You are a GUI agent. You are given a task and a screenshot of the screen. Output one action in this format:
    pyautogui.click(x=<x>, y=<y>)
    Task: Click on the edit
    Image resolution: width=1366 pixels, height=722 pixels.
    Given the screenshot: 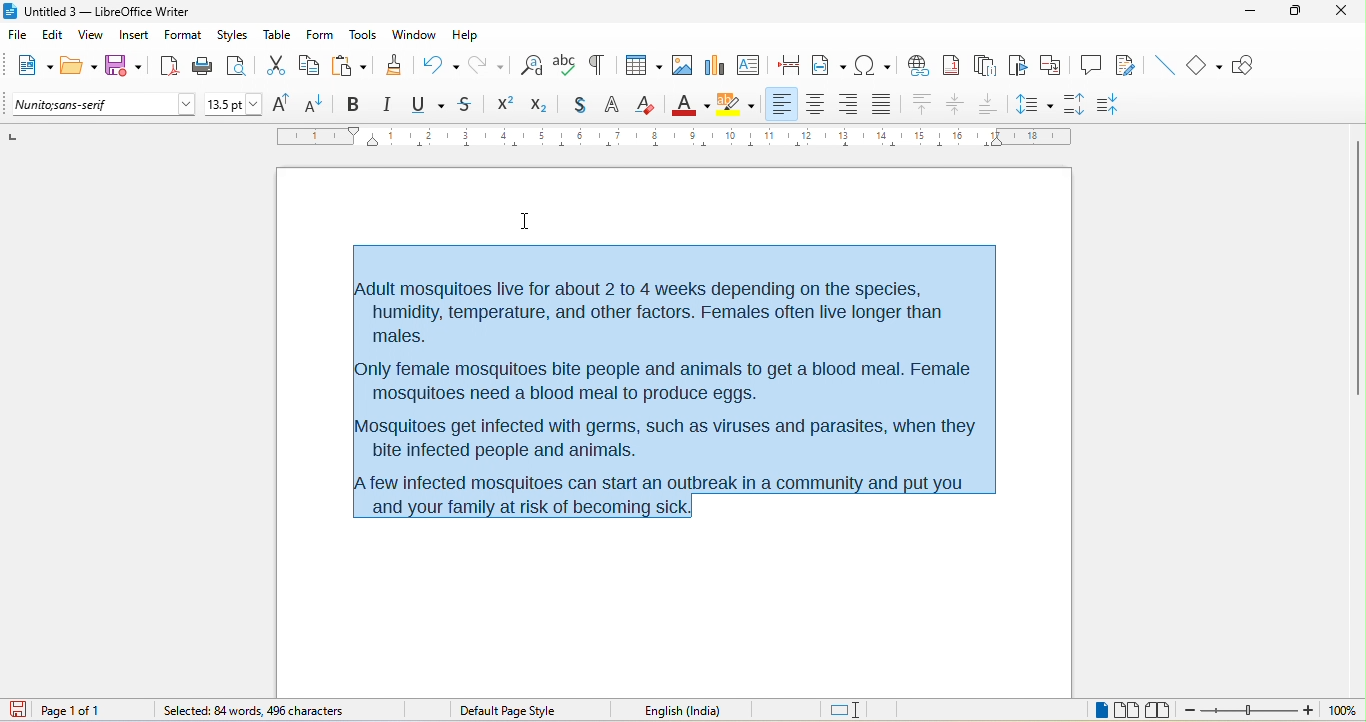 What is the action you would take?
    pyautogui.click(x=54, y=38)
    